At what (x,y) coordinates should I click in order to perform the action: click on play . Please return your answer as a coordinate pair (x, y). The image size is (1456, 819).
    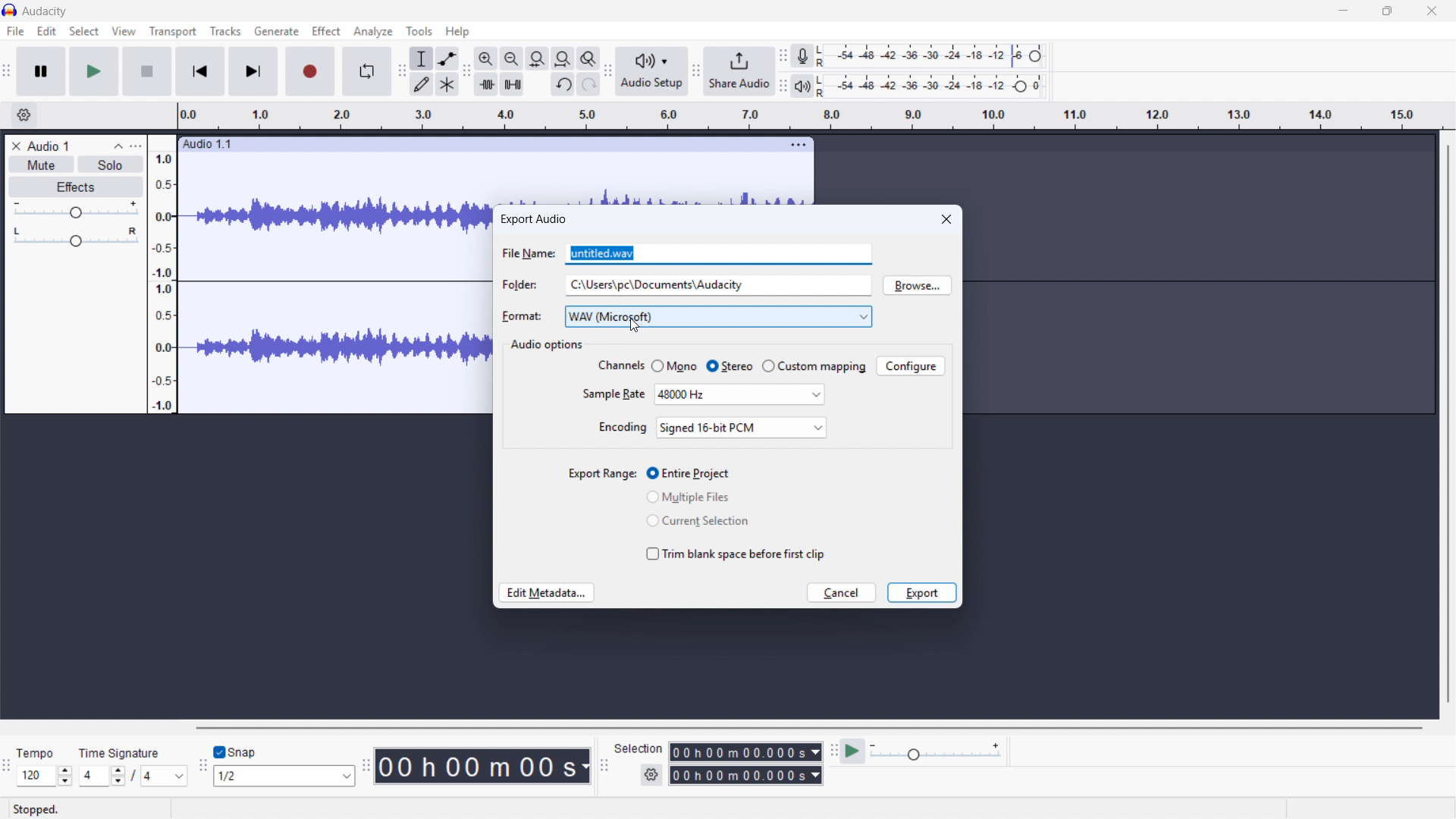
    Looking at the image, I should click on (95, 72).